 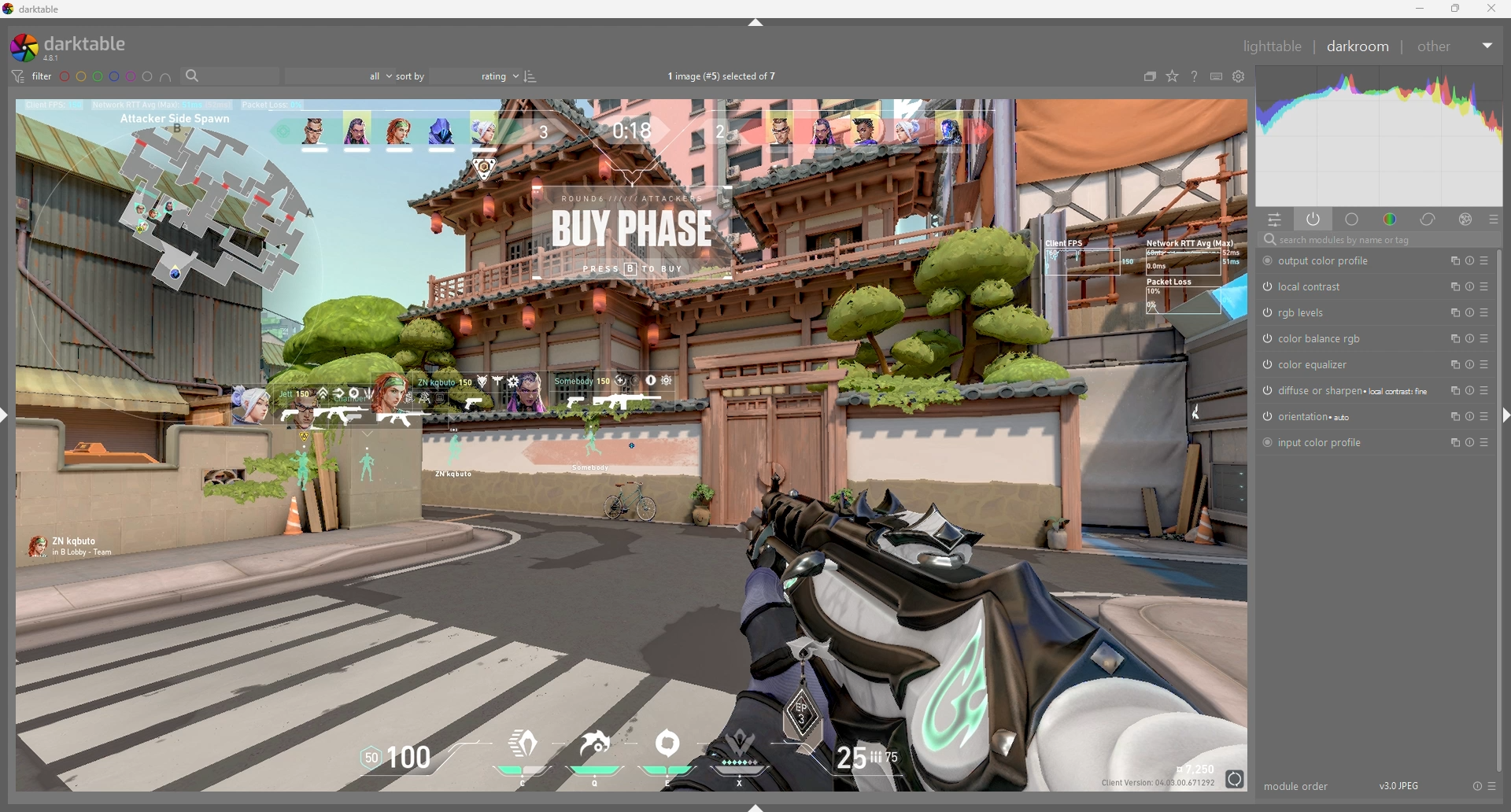 I want to click on show global preferences, so click(x=1239, y=76).